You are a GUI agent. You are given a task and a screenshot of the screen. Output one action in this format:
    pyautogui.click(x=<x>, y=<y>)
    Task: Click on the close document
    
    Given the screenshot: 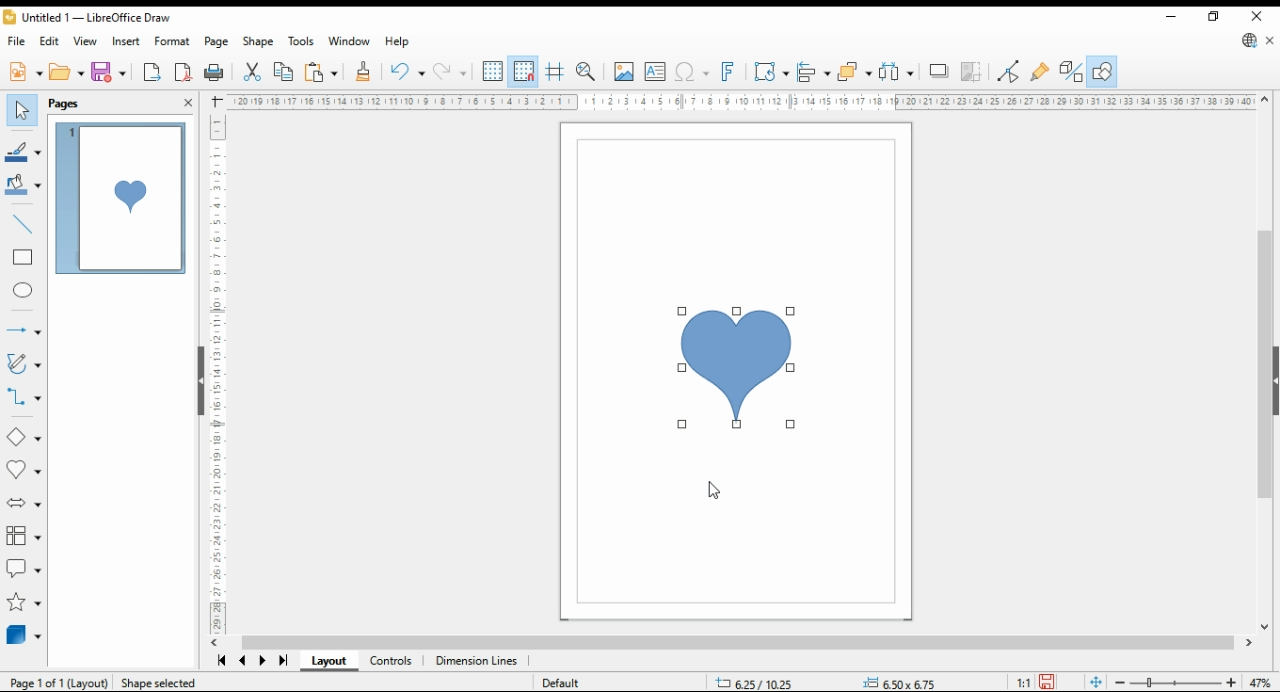 What is the action you would take?
    pyautogui.click(x=1270, y=40)
    